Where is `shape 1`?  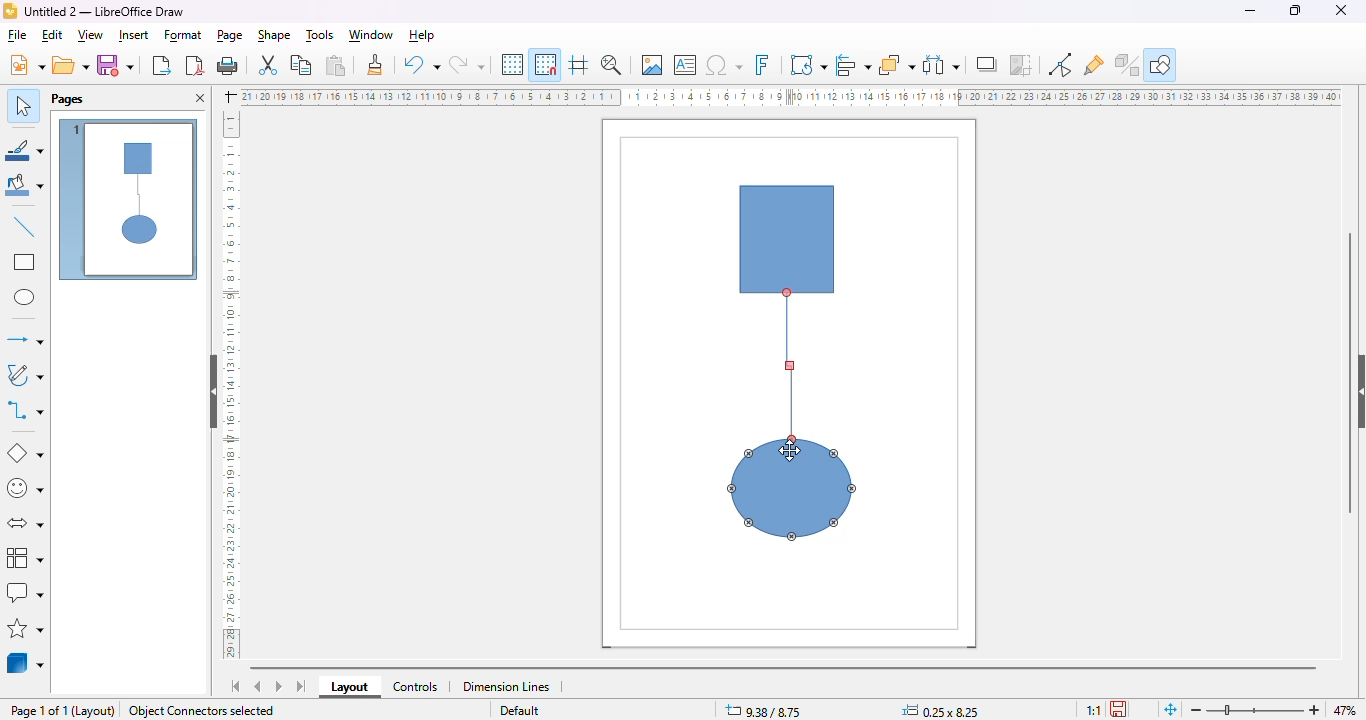 shape 1 is located at coordinates (789, 239).